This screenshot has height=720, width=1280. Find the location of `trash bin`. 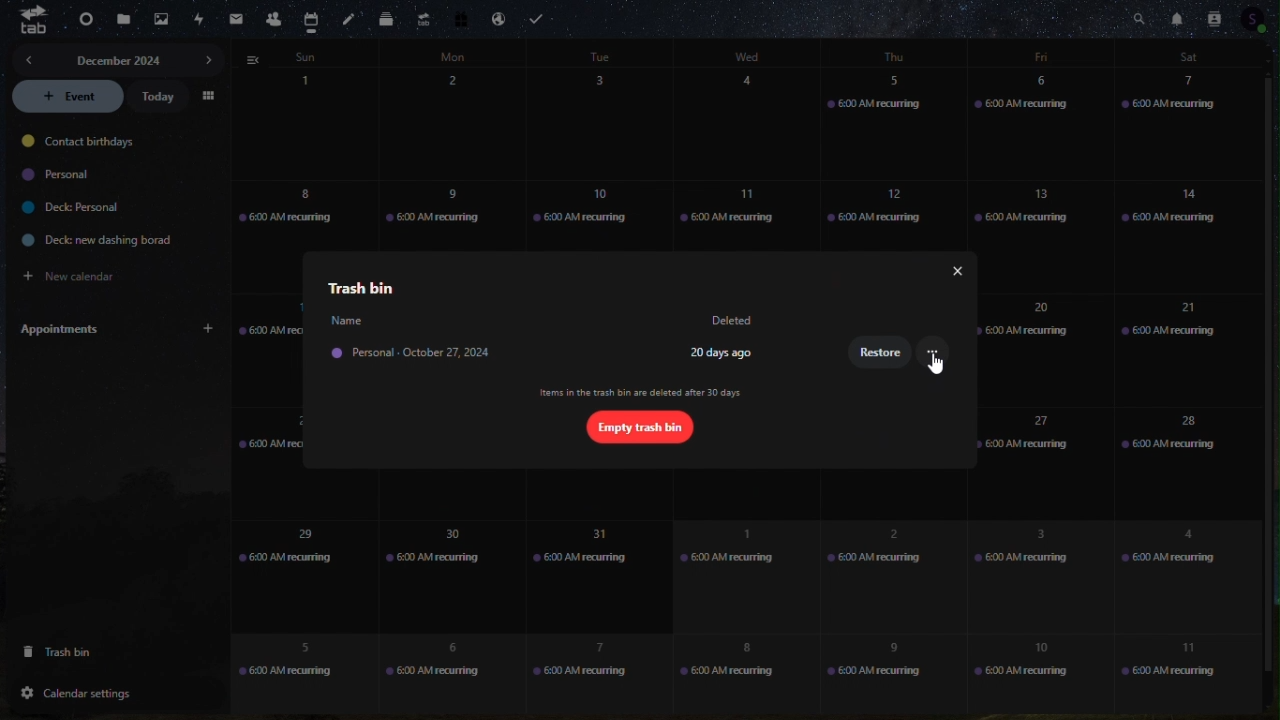

trash bin is located at coordinates (356, 287).